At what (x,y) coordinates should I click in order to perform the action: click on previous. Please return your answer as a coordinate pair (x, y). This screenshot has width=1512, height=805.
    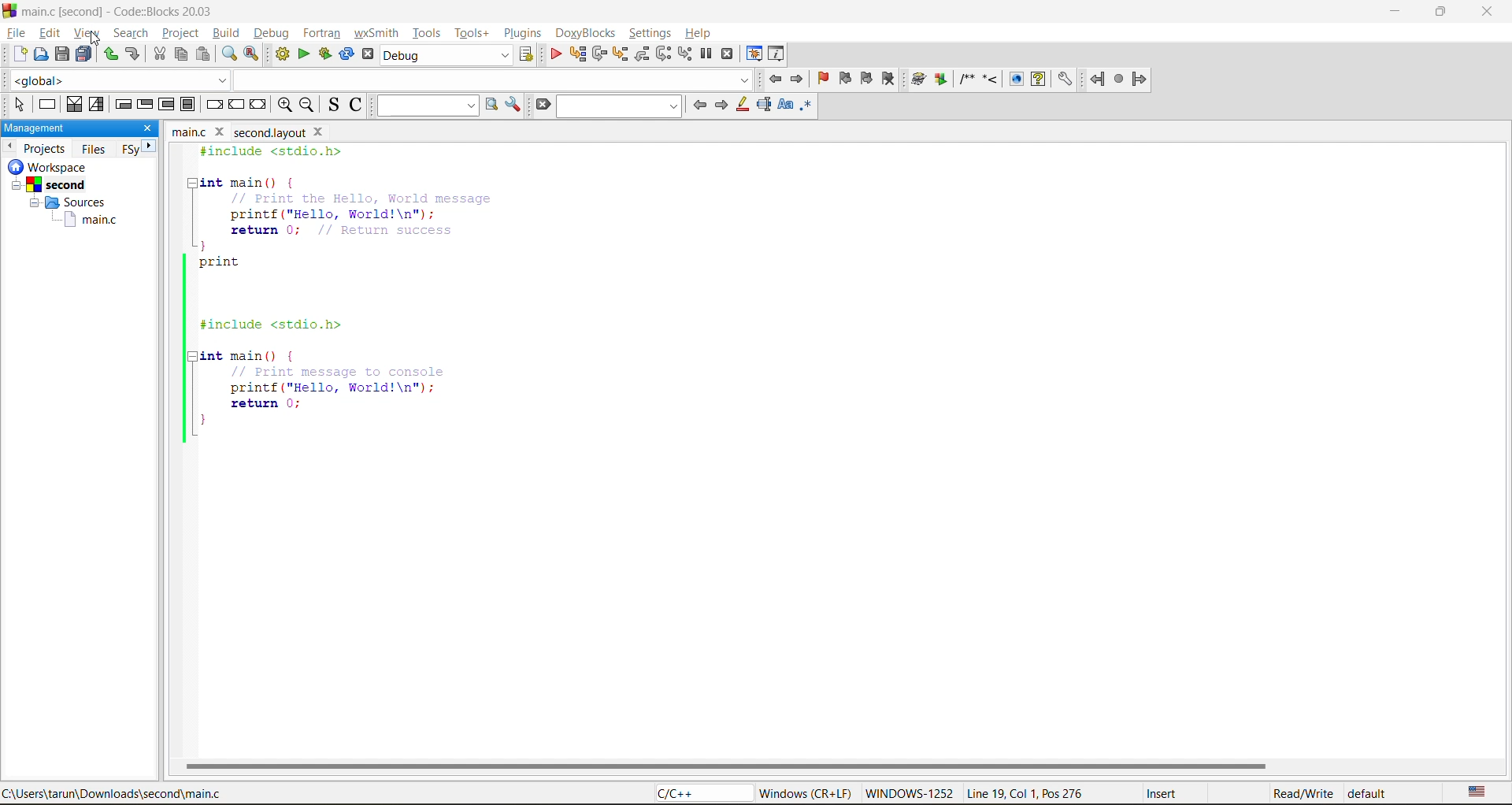
    Looking at the image, I should click on (12, 147).